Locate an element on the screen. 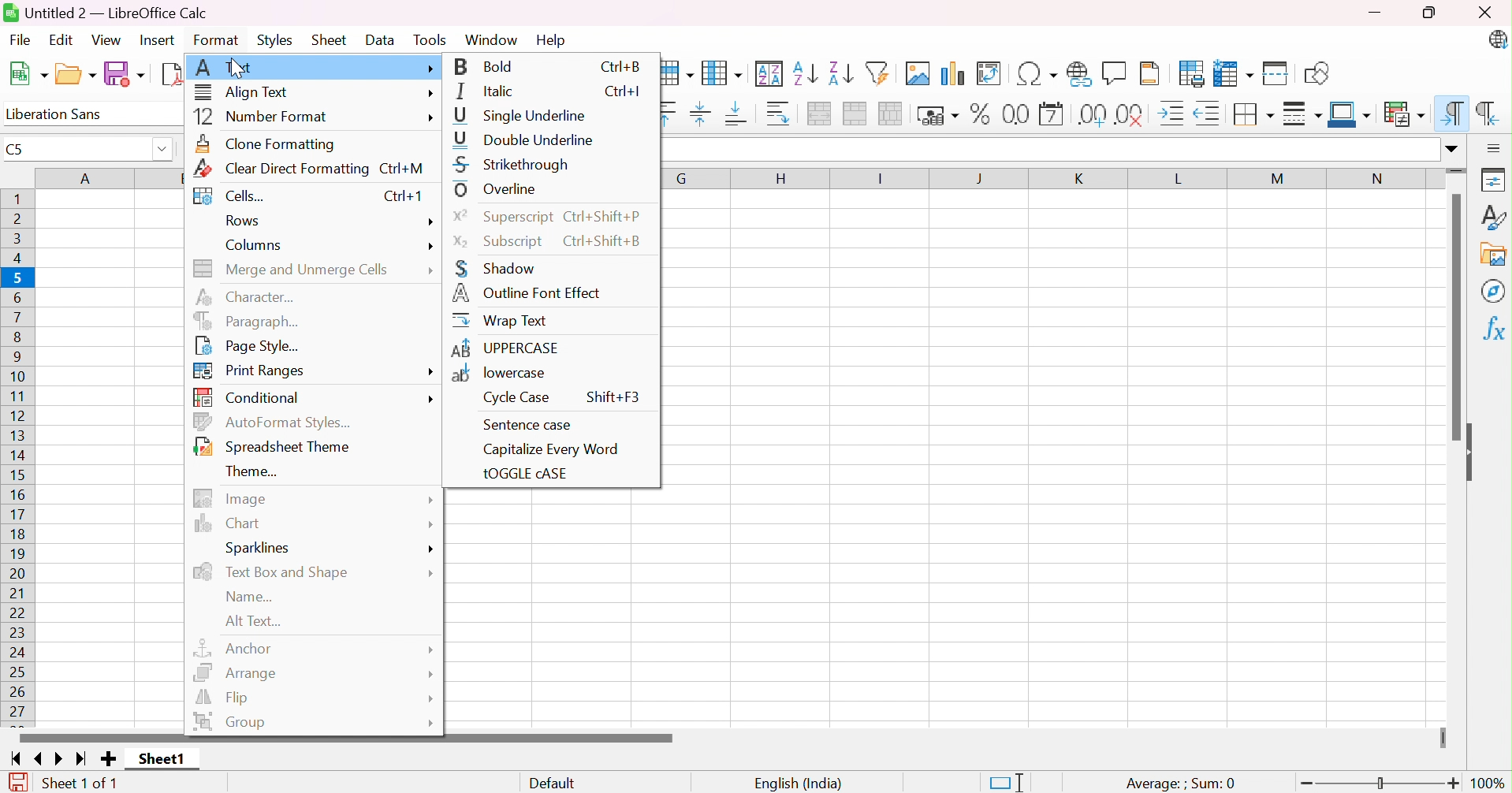 The height and width of the screenshot is (793, 1512). Hide is located at coordinates (1475, 451).